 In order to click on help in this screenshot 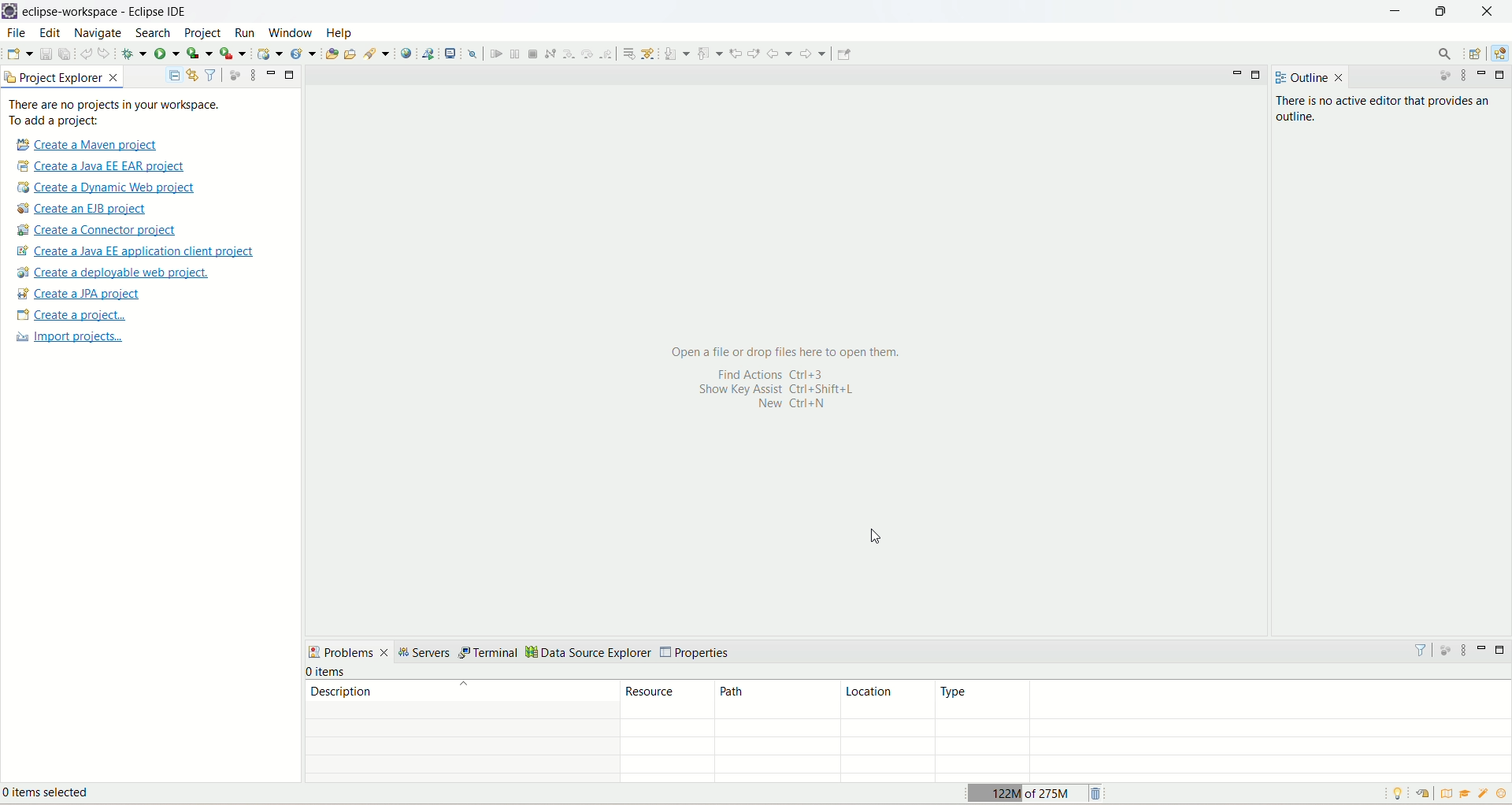, I will do `click(341, 33)`.